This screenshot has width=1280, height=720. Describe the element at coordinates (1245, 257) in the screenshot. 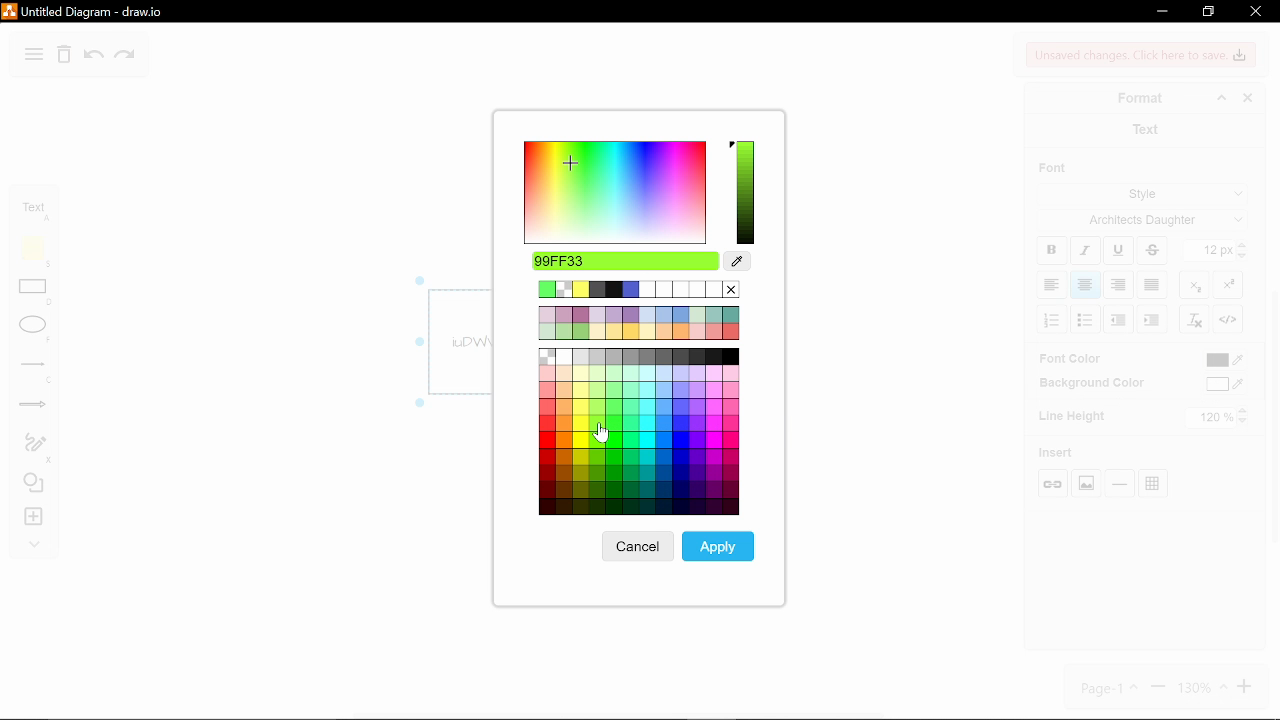

I see `decrease text size` at that location.